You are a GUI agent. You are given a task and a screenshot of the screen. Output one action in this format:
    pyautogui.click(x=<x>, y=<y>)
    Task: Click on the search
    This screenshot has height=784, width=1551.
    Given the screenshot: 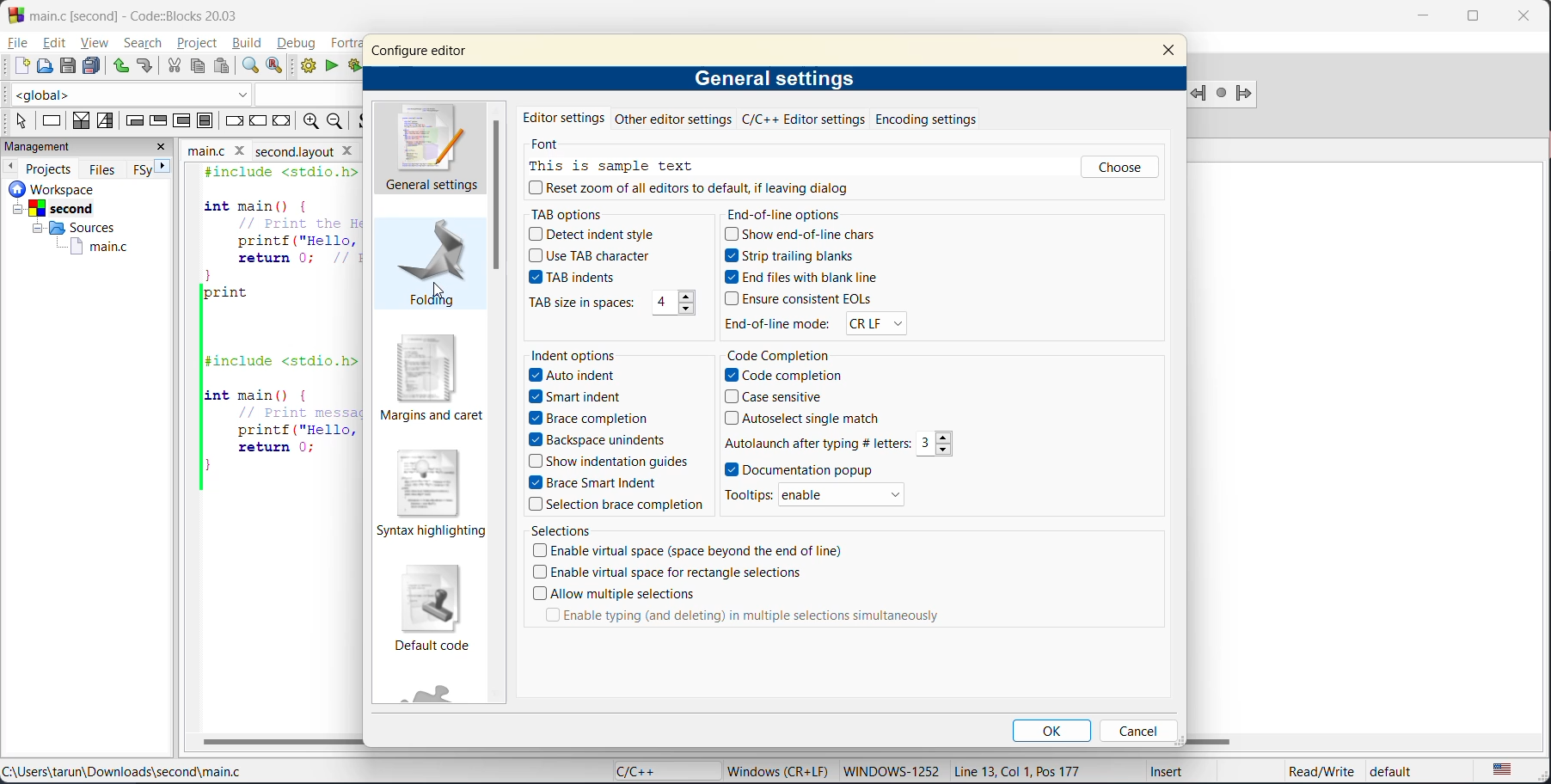 What is the action you would take?
    pyautogui.click(x=144, y=45)
    